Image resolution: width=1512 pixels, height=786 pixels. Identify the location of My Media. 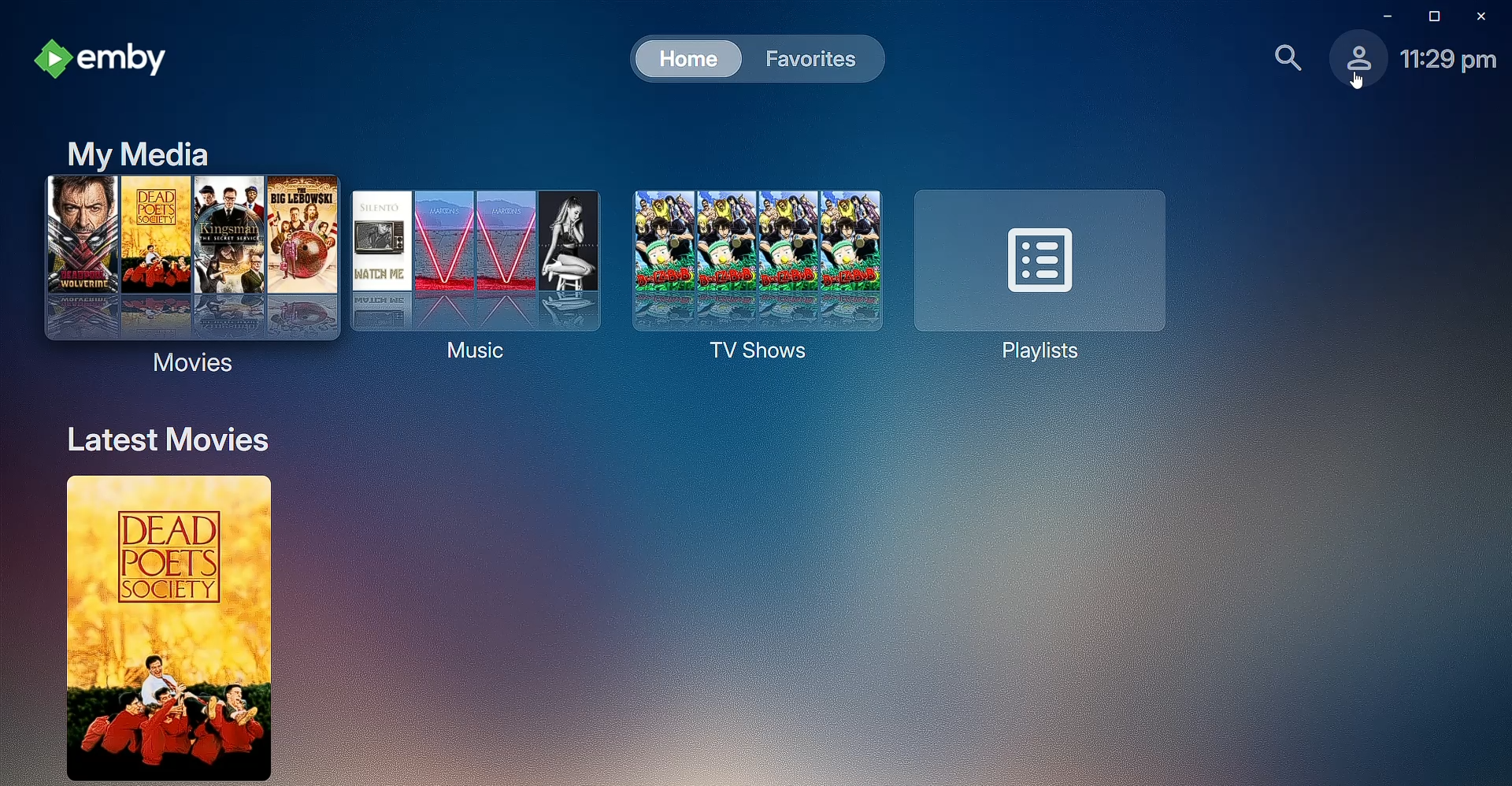
(139, 152).